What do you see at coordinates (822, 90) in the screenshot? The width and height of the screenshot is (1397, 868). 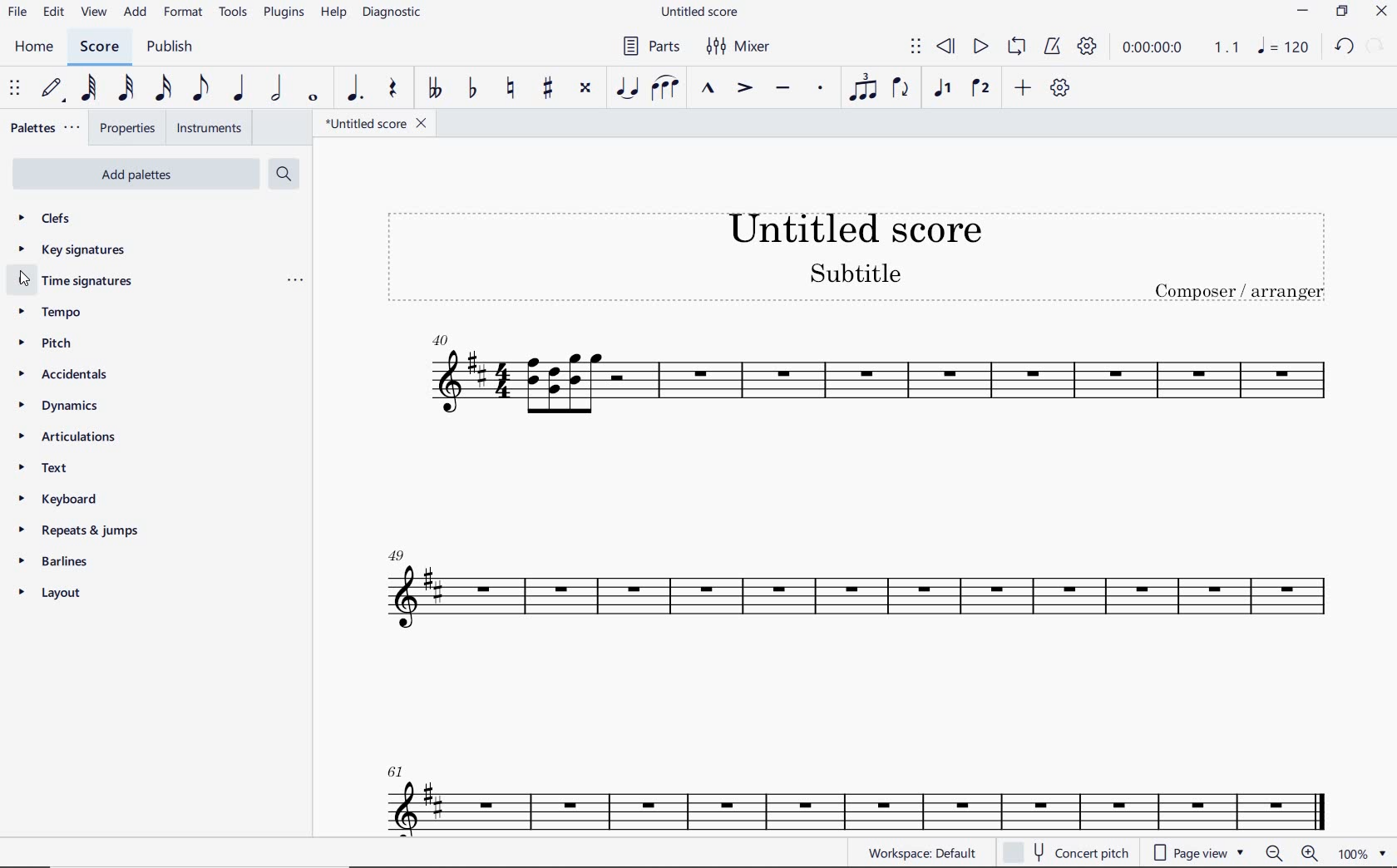 I see `STACCATO` at bounding box center [822, 90].